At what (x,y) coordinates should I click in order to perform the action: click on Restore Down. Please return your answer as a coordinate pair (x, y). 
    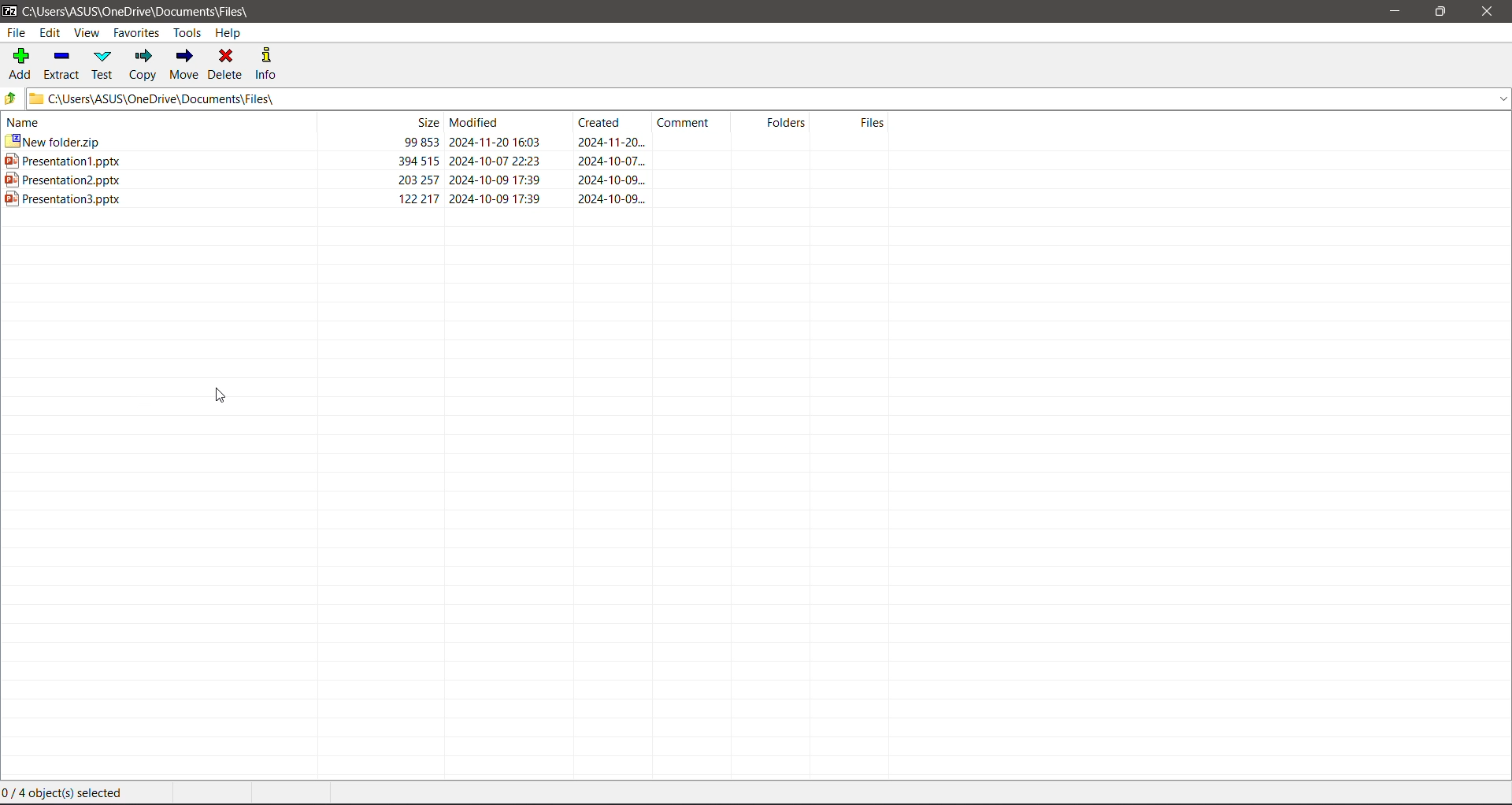
    Looking at the image, I should click on (1439, 12).